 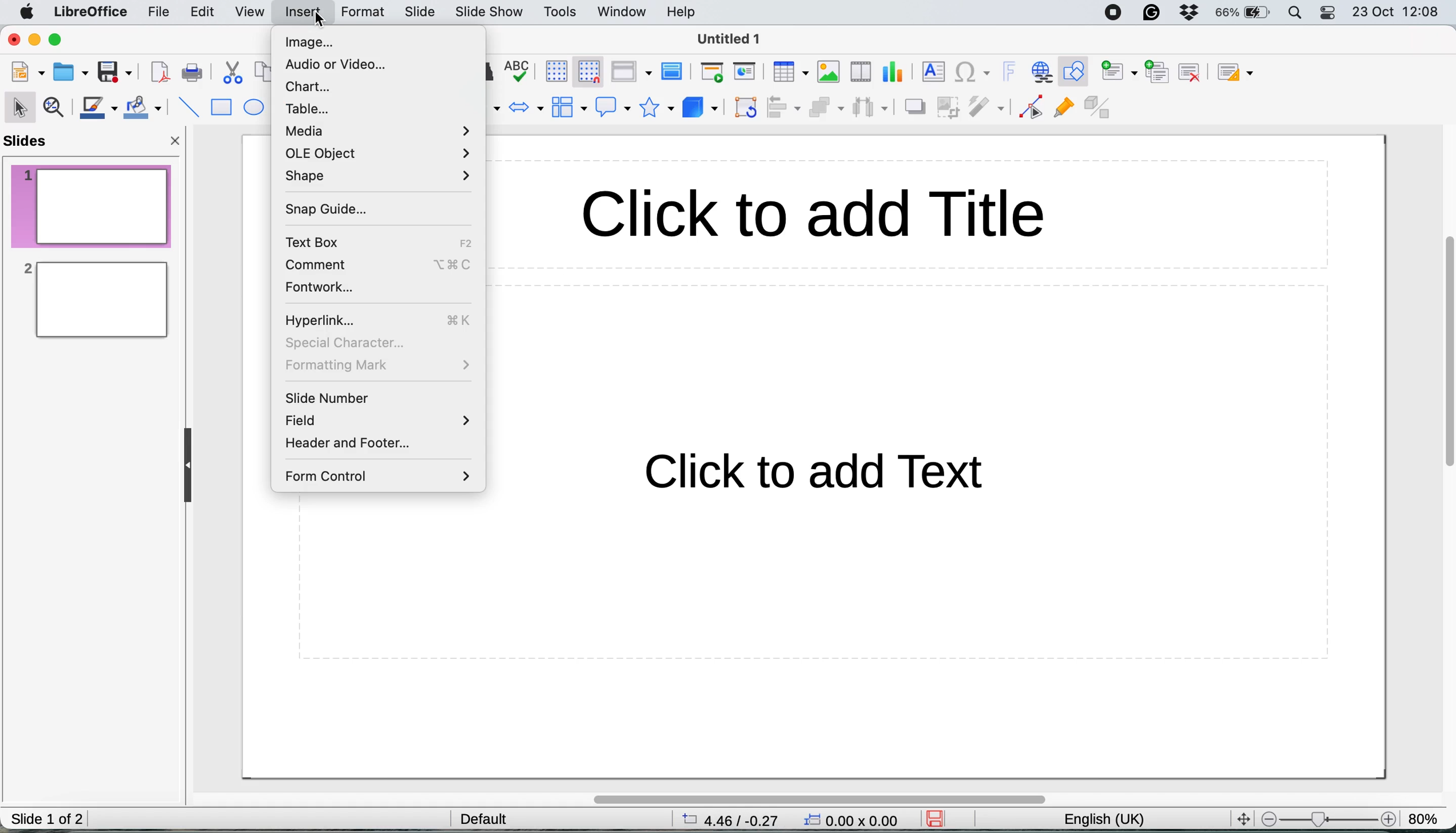 What do you see at coordinates (699, 108) in the screenshot?
I see `3d objects` at bounding box center [699, 108].